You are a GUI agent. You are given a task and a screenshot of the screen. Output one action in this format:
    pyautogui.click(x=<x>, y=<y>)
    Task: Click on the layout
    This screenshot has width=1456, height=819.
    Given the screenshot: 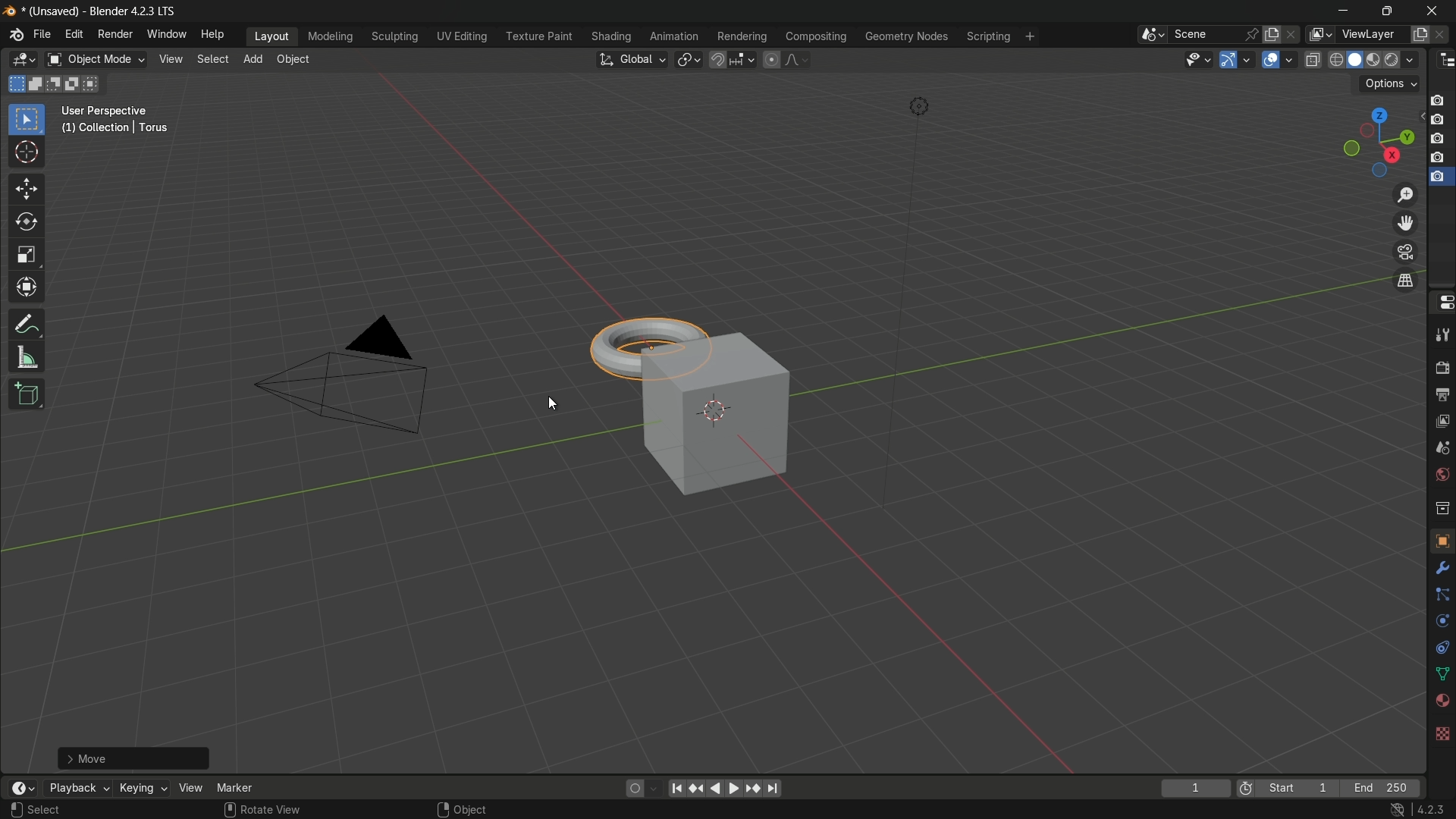 What is the action you would take?
    pyautogui.click(x=272, y=36)
    